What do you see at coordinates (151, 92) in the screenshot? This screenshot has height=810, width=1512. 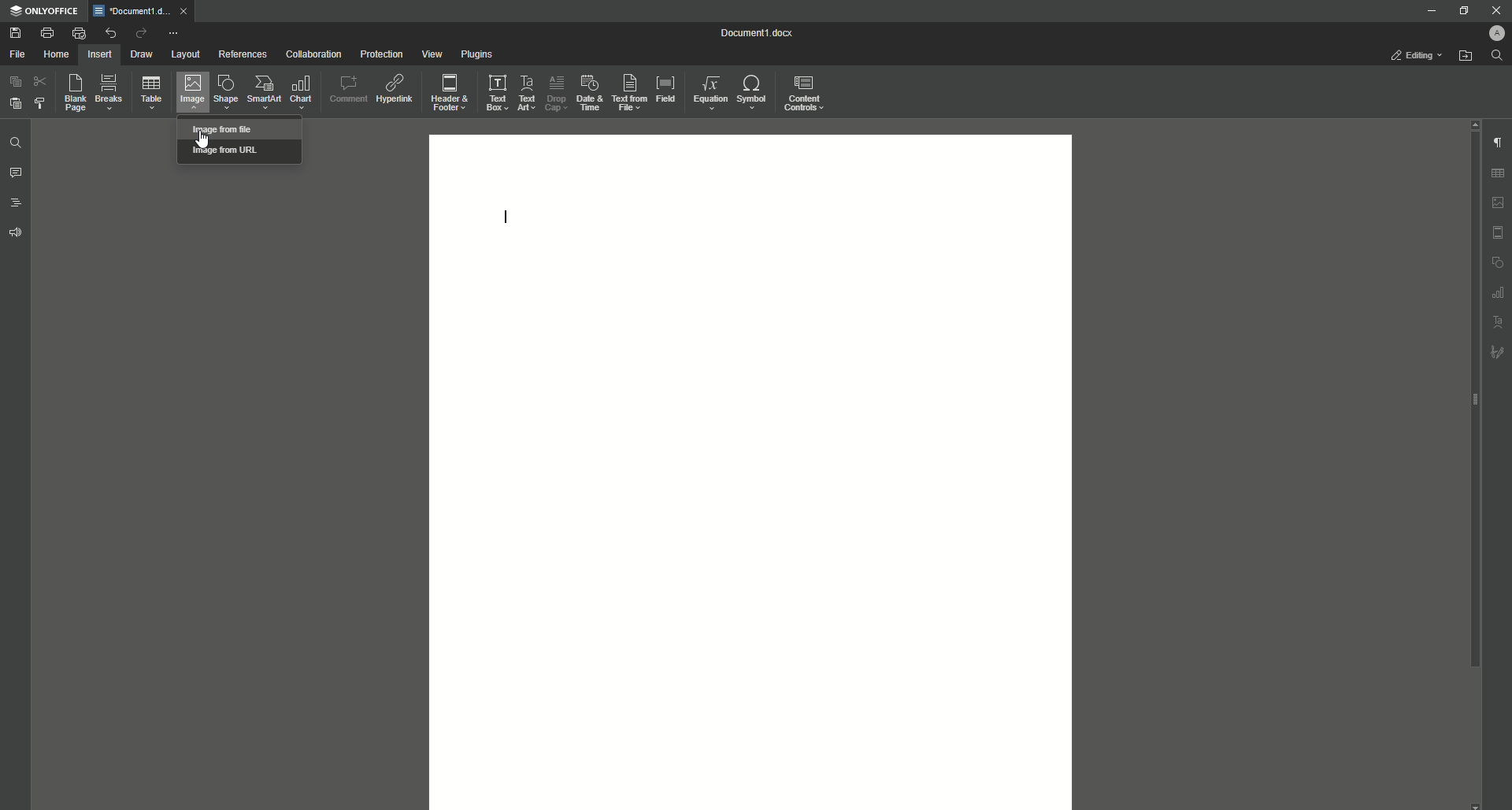 I see `Table` at bounding box center [151, 92].